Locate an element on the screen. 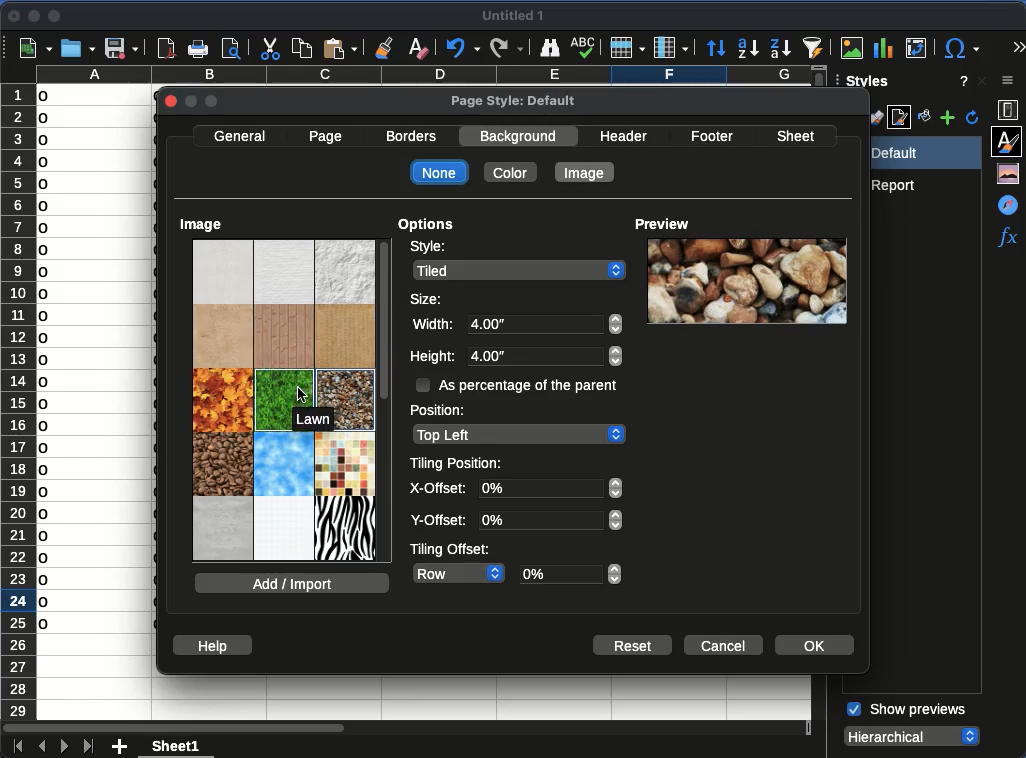 Image resolution: width=1026 pixels, height=758 pixels. default is located at coordinates (920, 153).